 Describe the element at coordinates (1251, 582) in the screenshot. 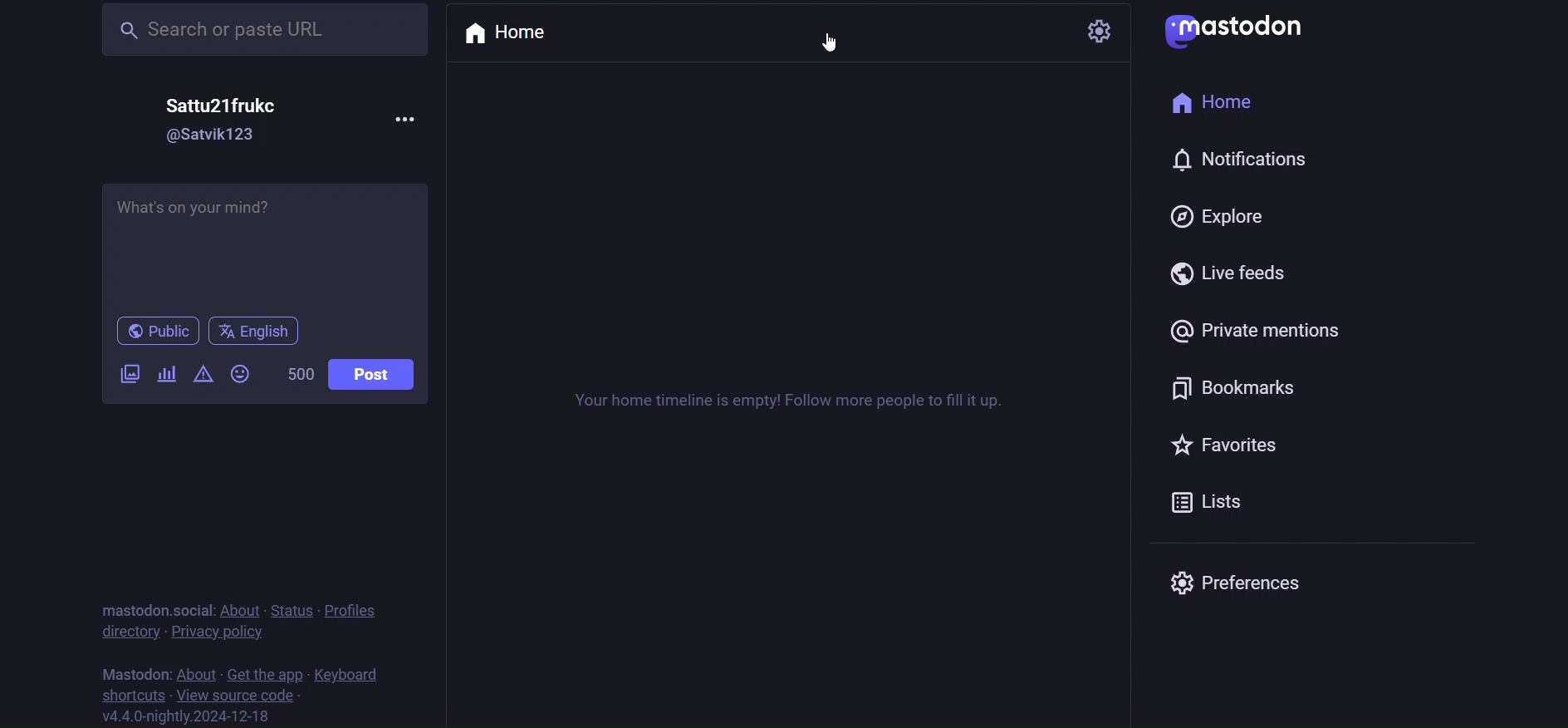

I see `preferences` at that location.